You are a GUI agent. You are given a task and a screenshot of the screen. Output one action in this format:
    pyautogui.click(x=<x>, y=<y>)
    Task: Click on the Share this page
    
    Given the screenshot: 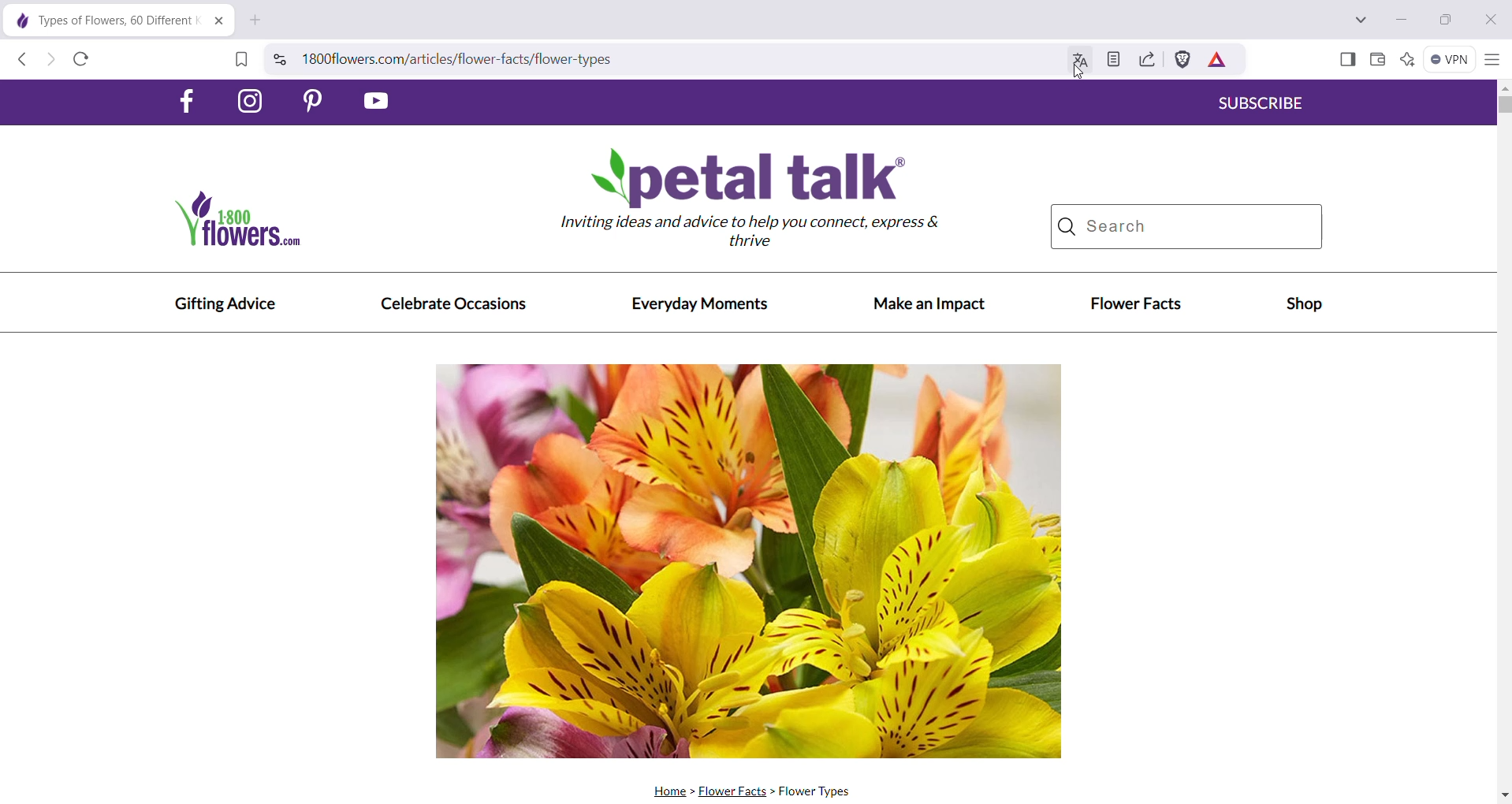 What is the action you would take?
    pyautogui.click(x=1144, y=60)
    